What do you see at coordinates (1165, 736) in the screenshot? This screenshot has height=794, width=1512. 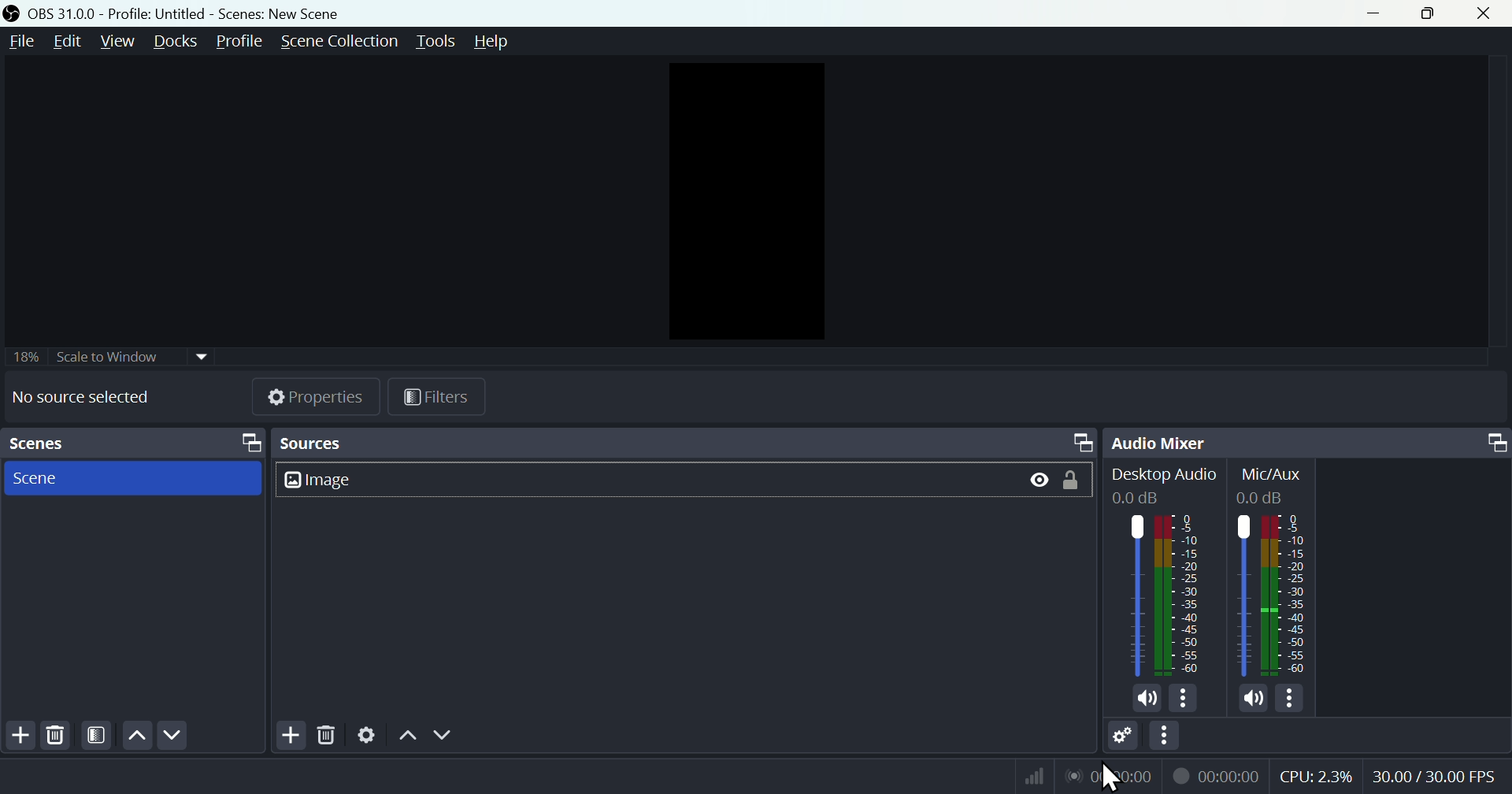 I see `More options` at bounding box center [1165, 736].